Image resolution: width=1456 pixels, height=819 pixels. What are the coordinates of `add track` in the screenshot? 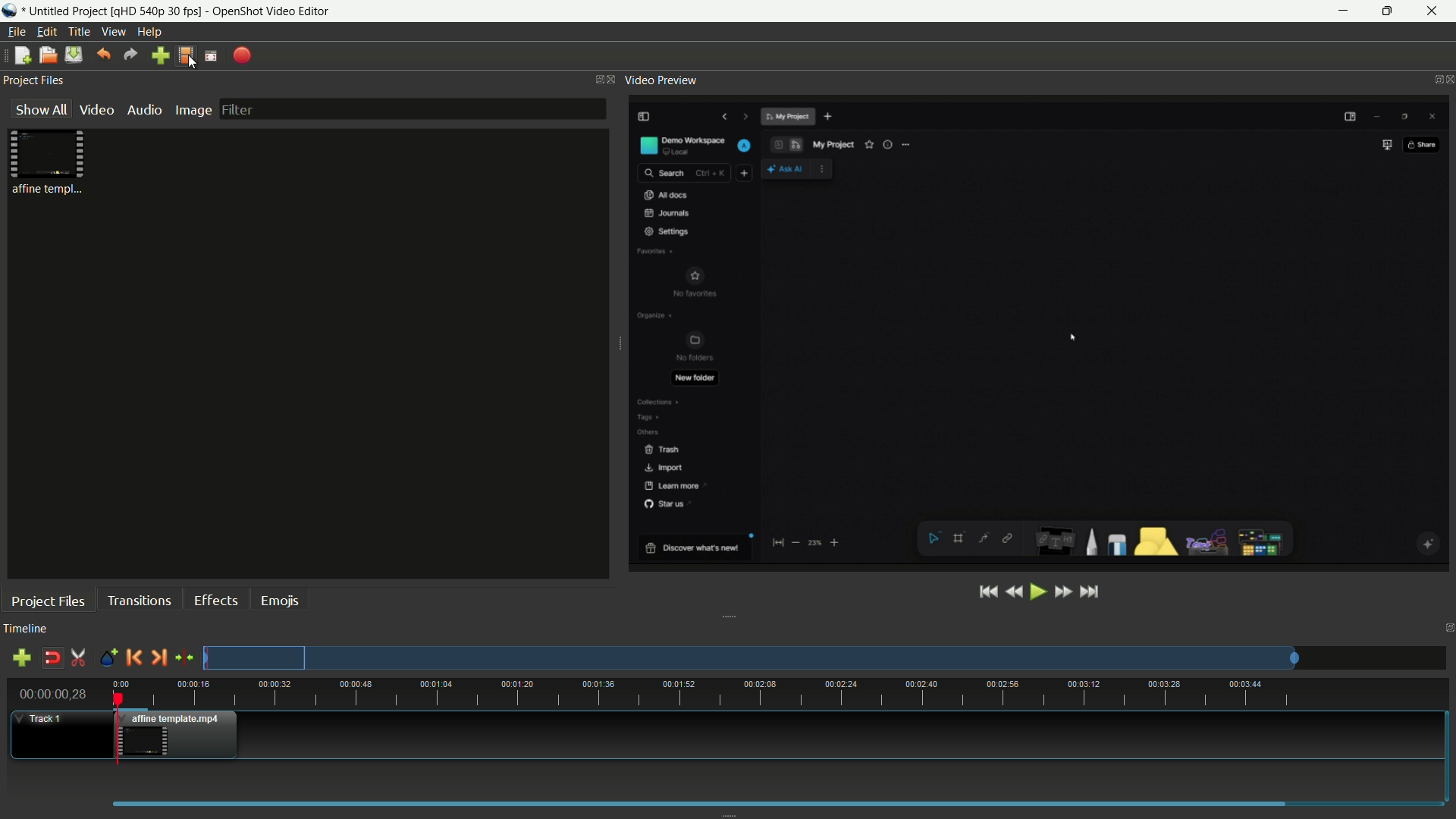 It's located at (24, 657).